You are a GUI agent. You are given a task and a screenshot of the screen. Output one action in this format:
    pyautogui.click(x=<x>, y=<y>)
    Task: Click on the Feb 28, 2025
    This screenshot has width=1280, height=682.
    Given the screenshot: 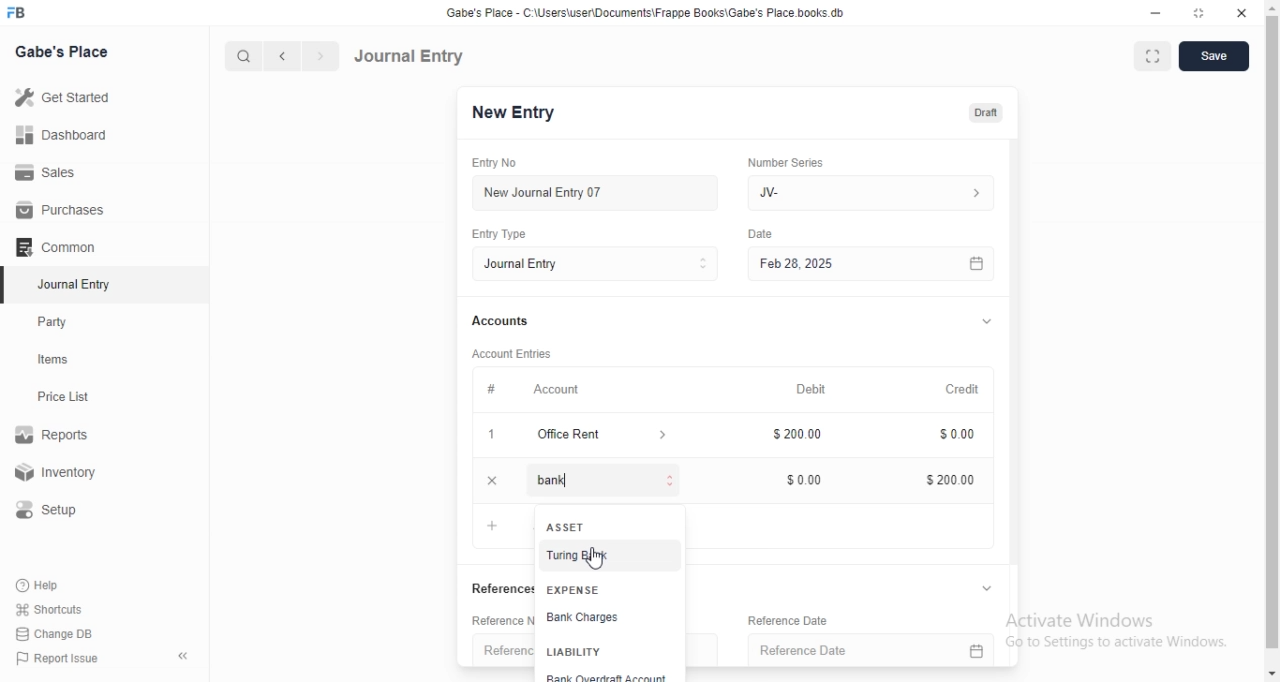 What is the action you would take?
    pyautogui.click(x=880, y=265)
    